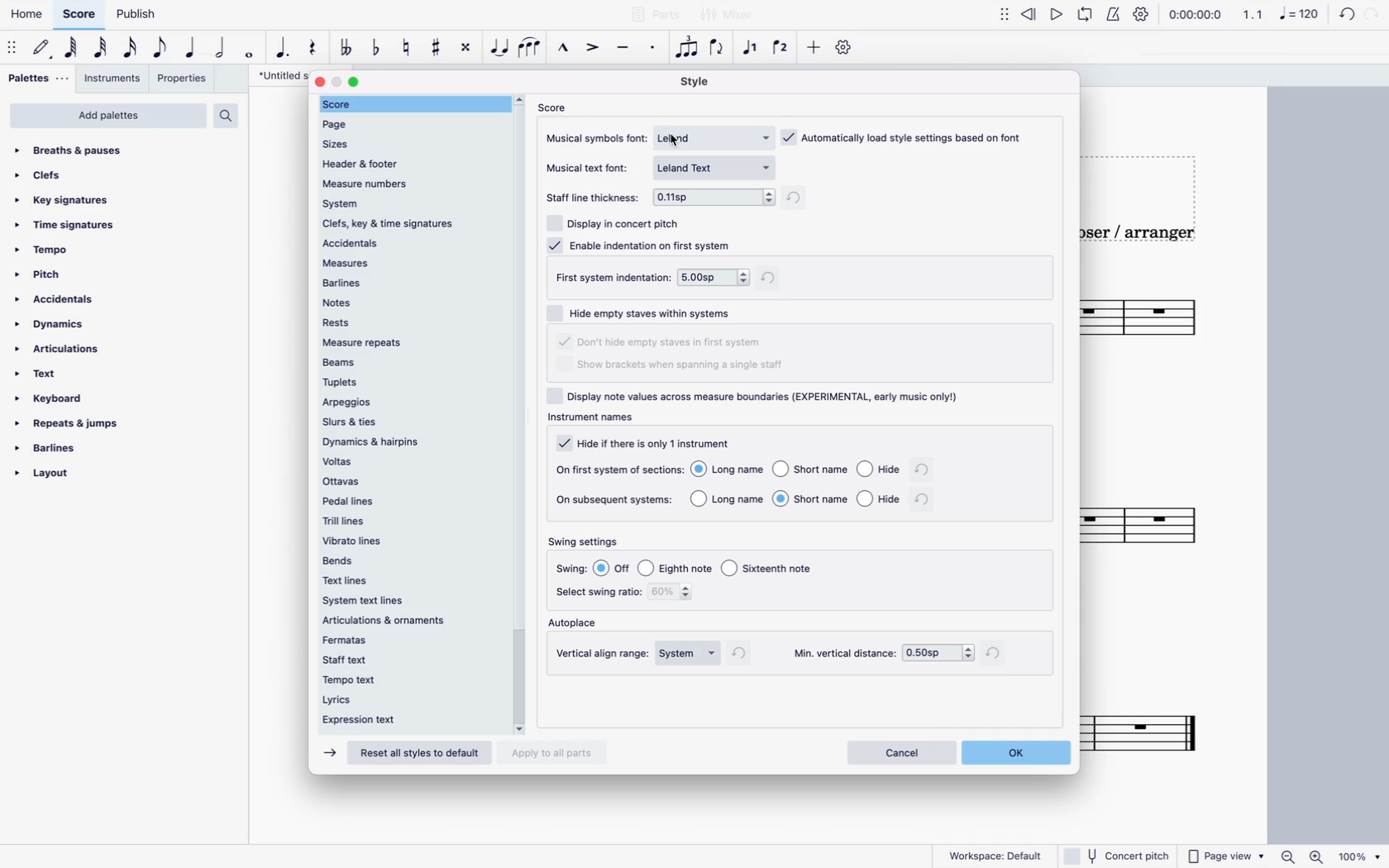  Describe the element at coordinates (337, 82) in the screenshot. I see `minimize` at that location.